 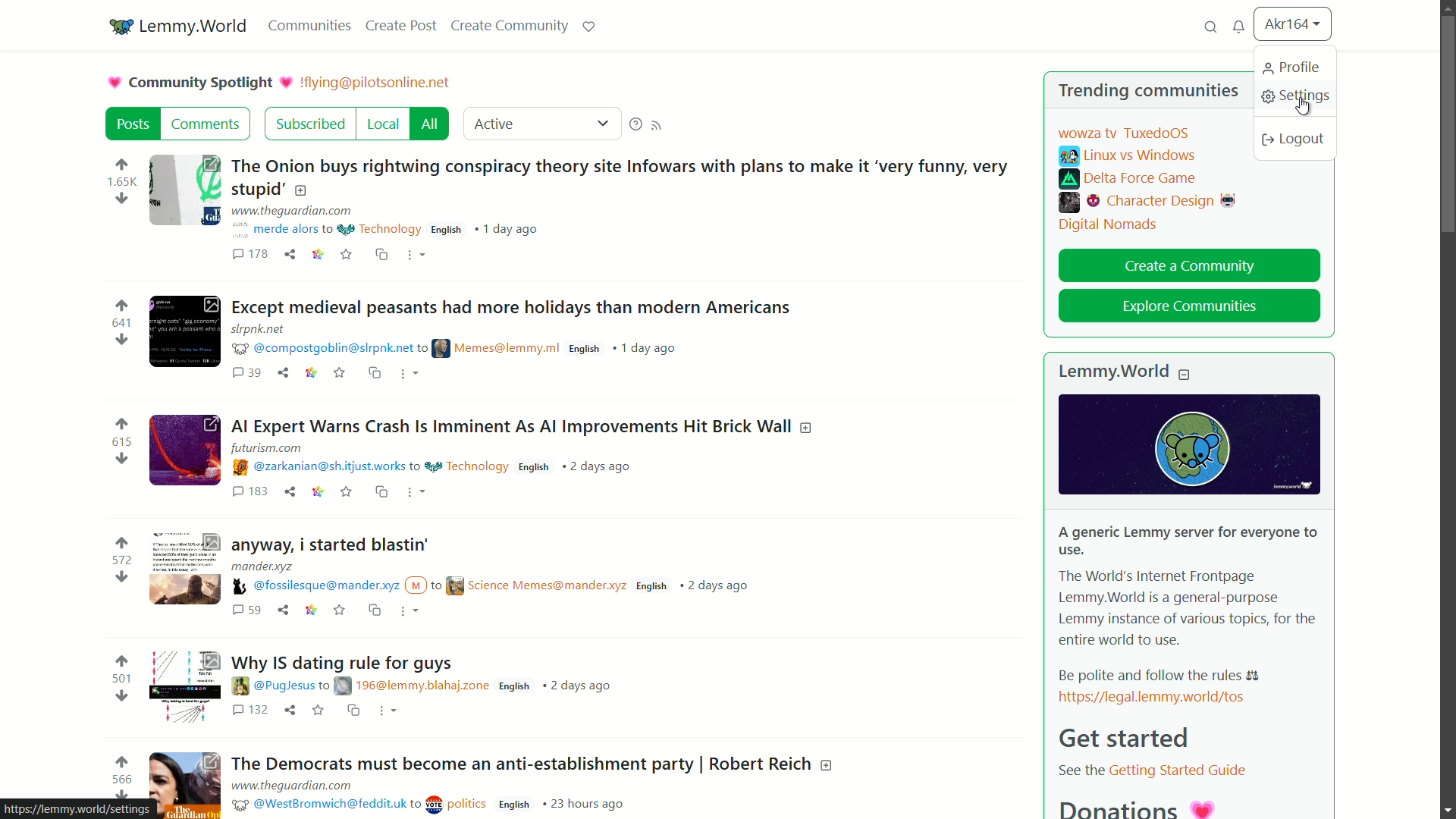 What do you see at coordinates (1191, 268) in the screenshot?
I see `create a community` at bounding box center [1191, 268].